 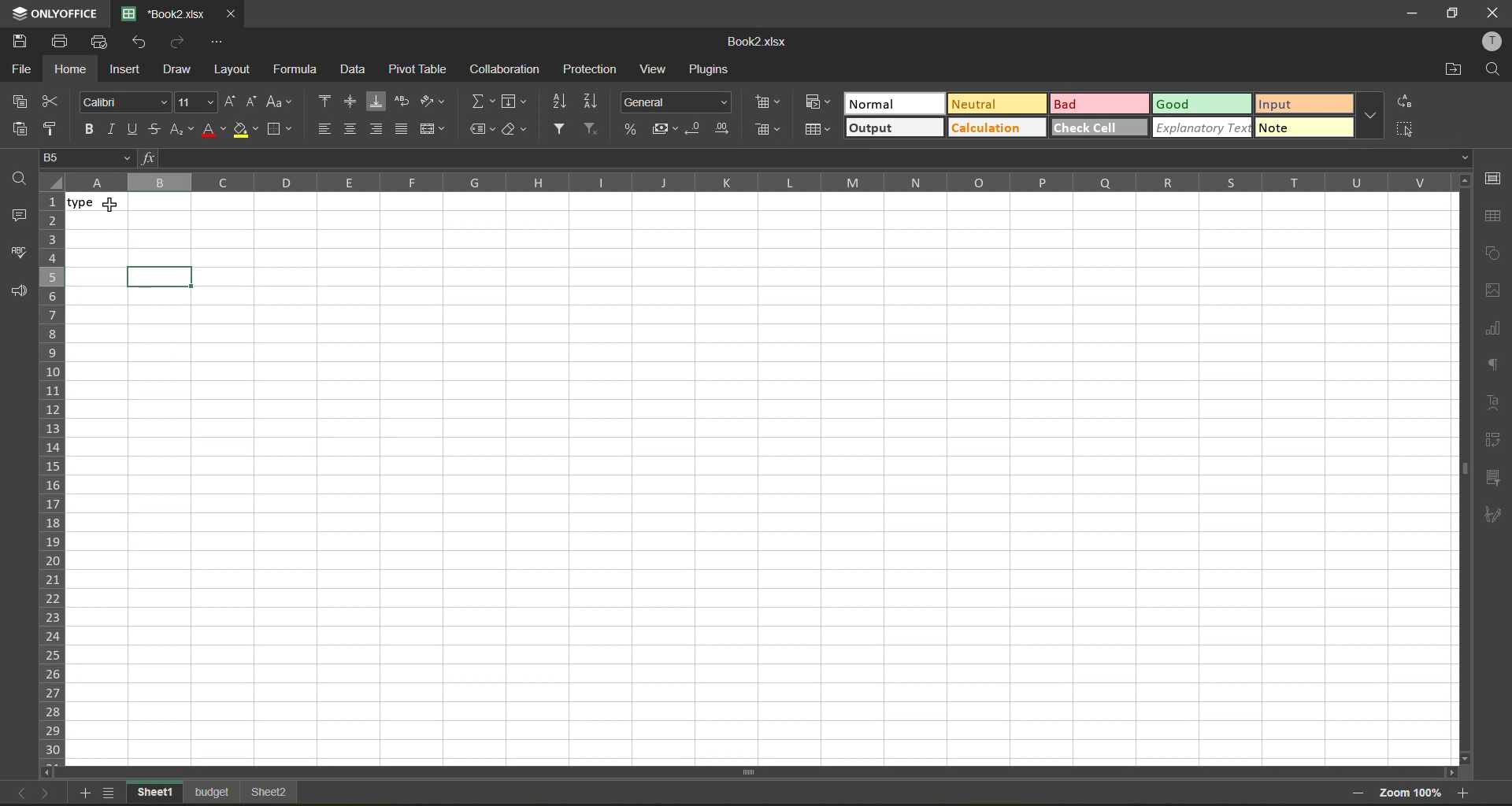 I want to click on zoom out, so click(x=1355, y=796).